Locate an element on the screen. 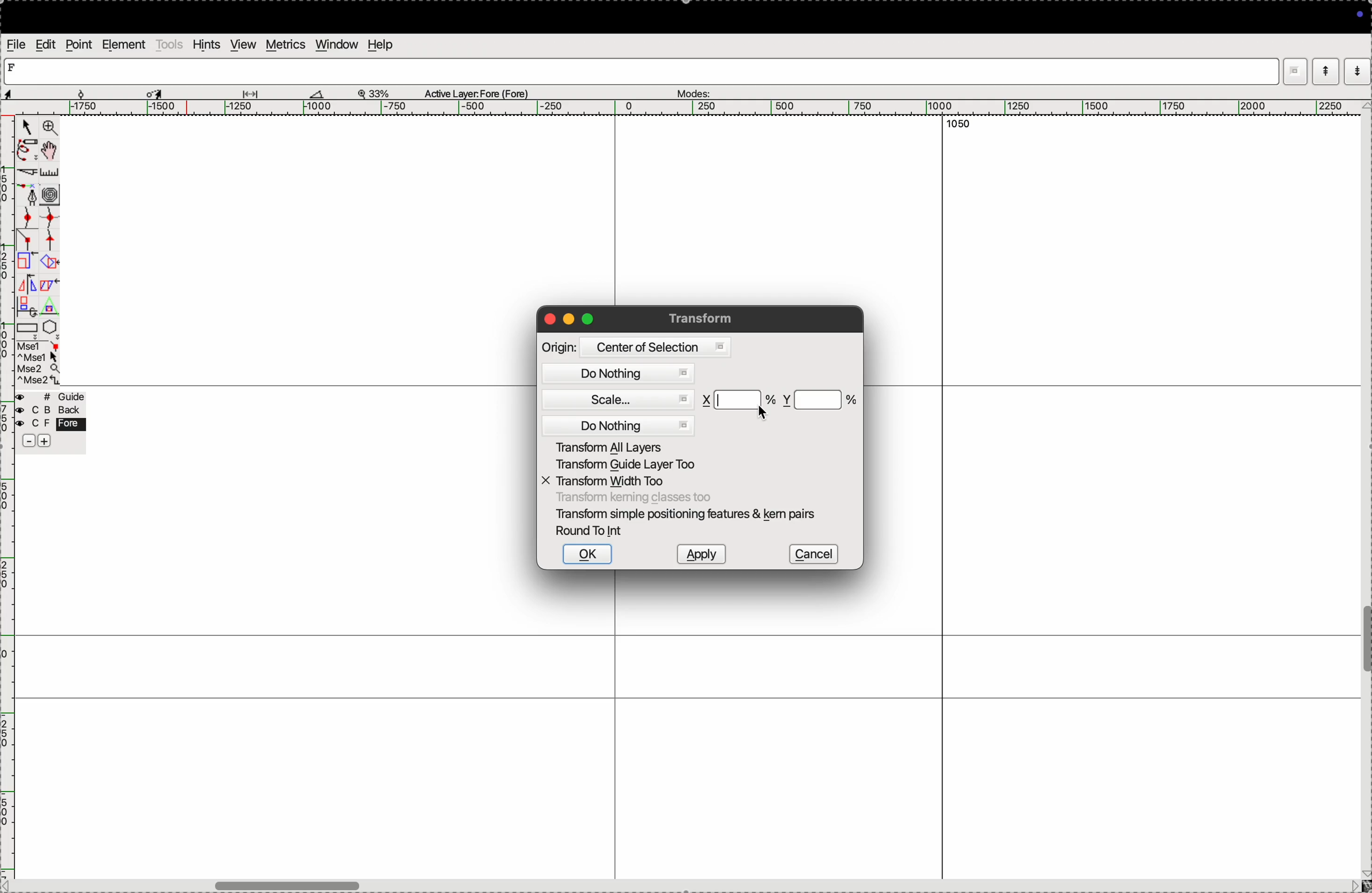 The height and width of the screenshot is (893, 1372). boat is located at coordinates (322, 93).